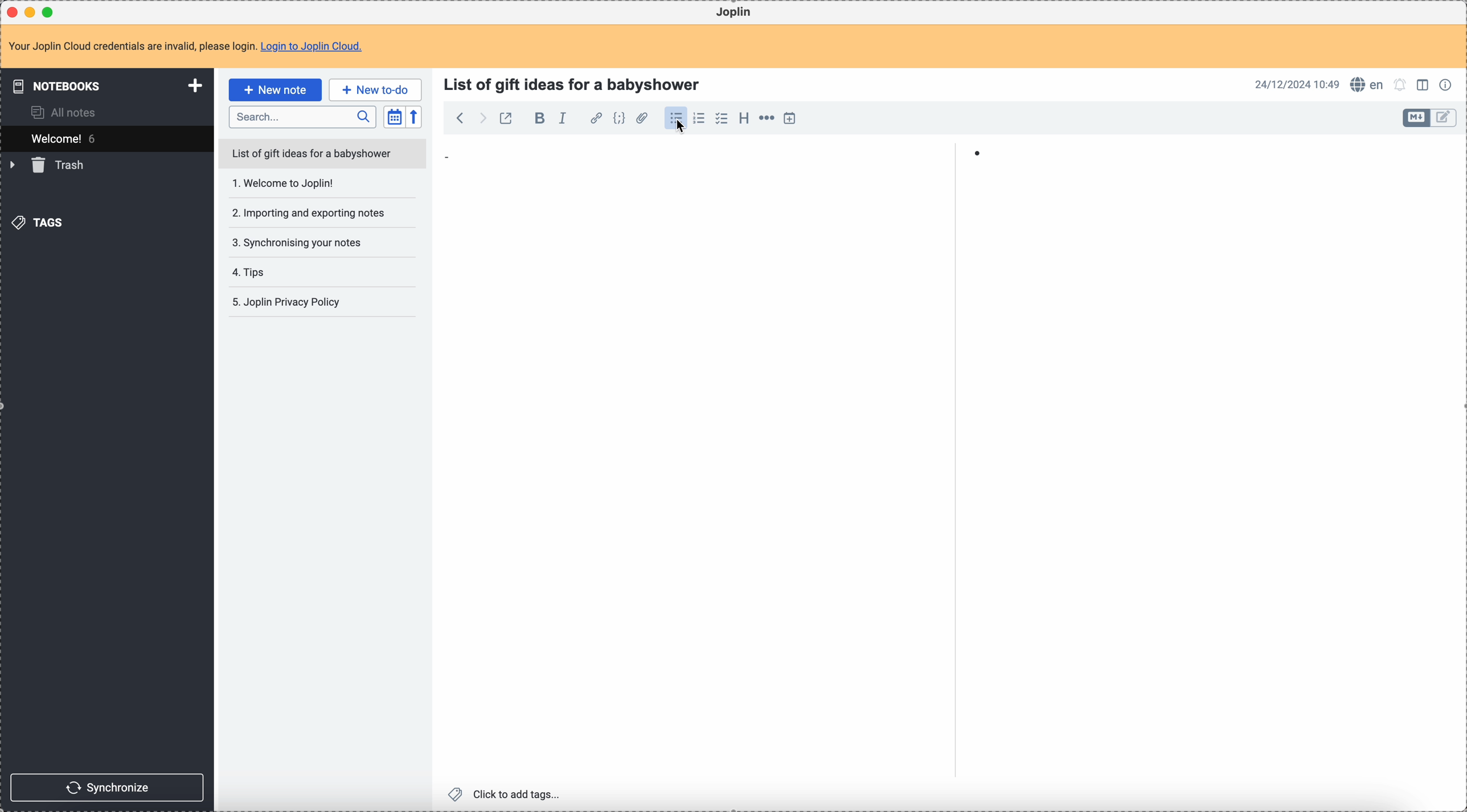 This screenshot has width=1467, height=812. I want to click on bullet point, so click(445, 156).